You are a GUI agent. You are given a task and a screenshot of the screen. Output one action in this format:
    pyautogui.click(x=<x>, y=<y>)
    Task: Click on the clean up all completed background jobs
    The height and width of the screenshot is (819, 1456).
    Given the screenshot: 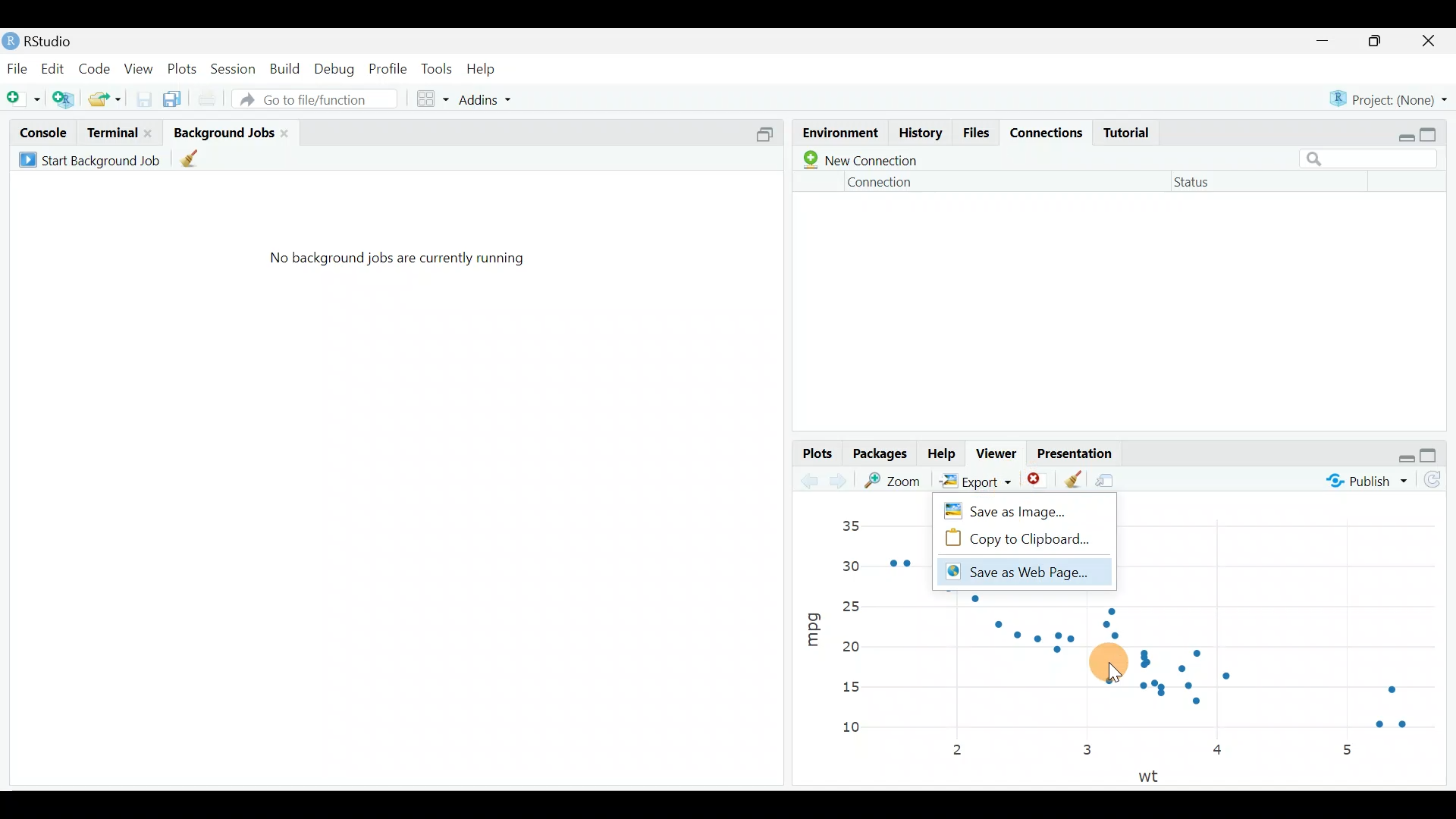 What is the action you would take?
    pyautogui.click(x=201, y=161)
    